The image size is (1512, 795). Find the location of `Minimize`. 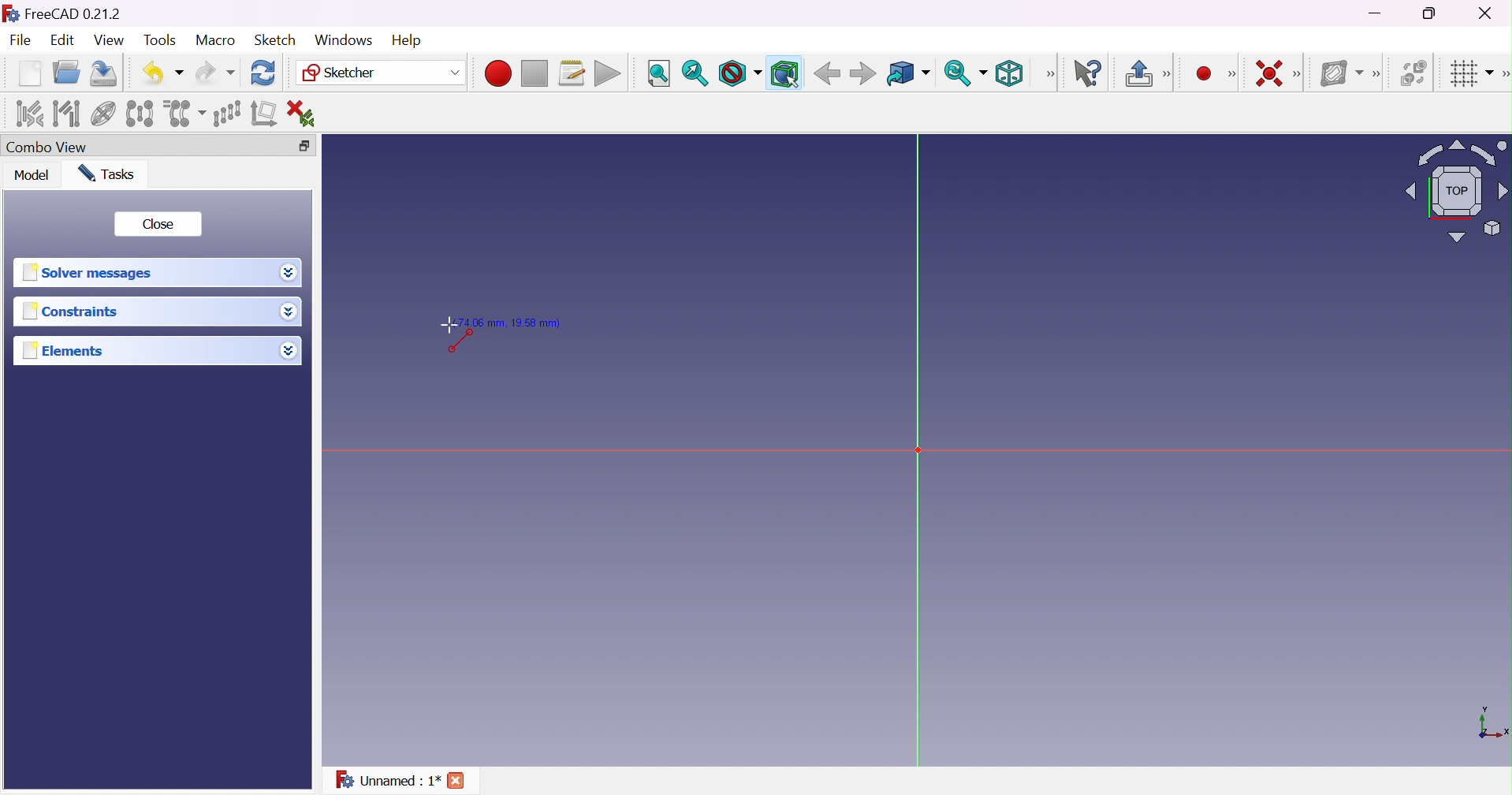

Minimize is located at coordinates (1376, 15).